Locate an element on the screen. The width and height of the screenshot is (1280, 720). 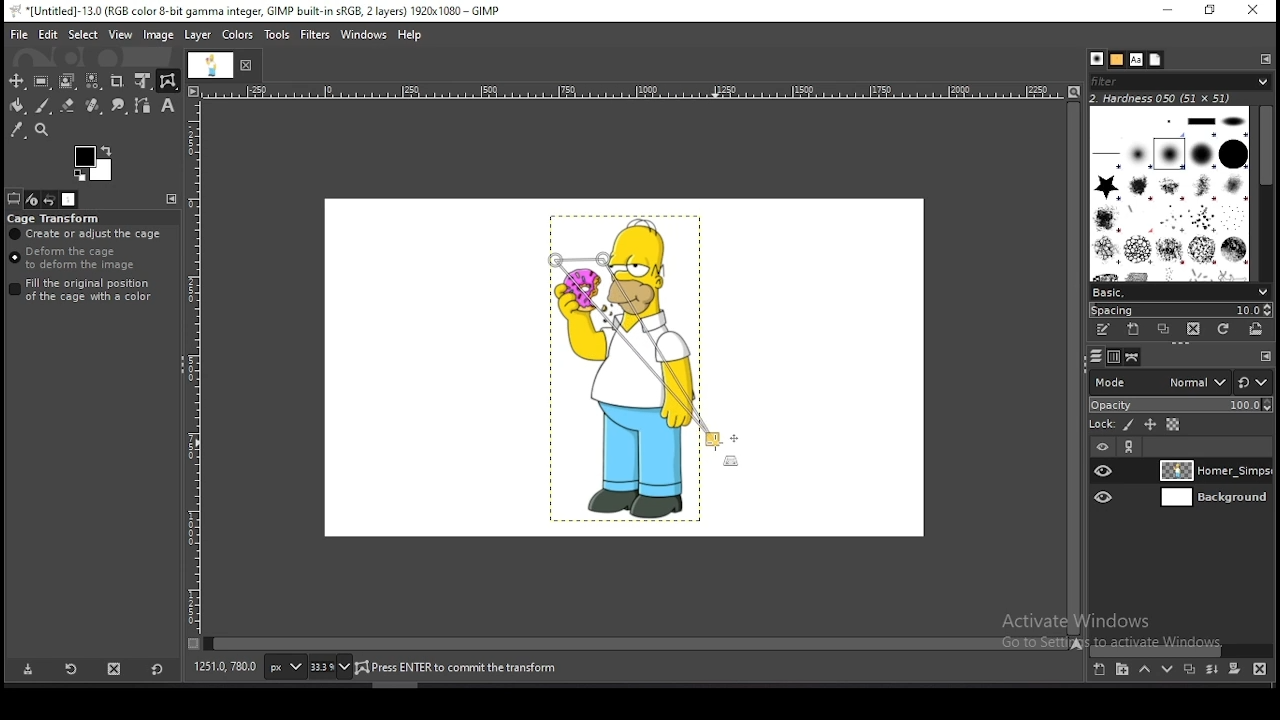
merge layers is located at coordinates (1212, 672).